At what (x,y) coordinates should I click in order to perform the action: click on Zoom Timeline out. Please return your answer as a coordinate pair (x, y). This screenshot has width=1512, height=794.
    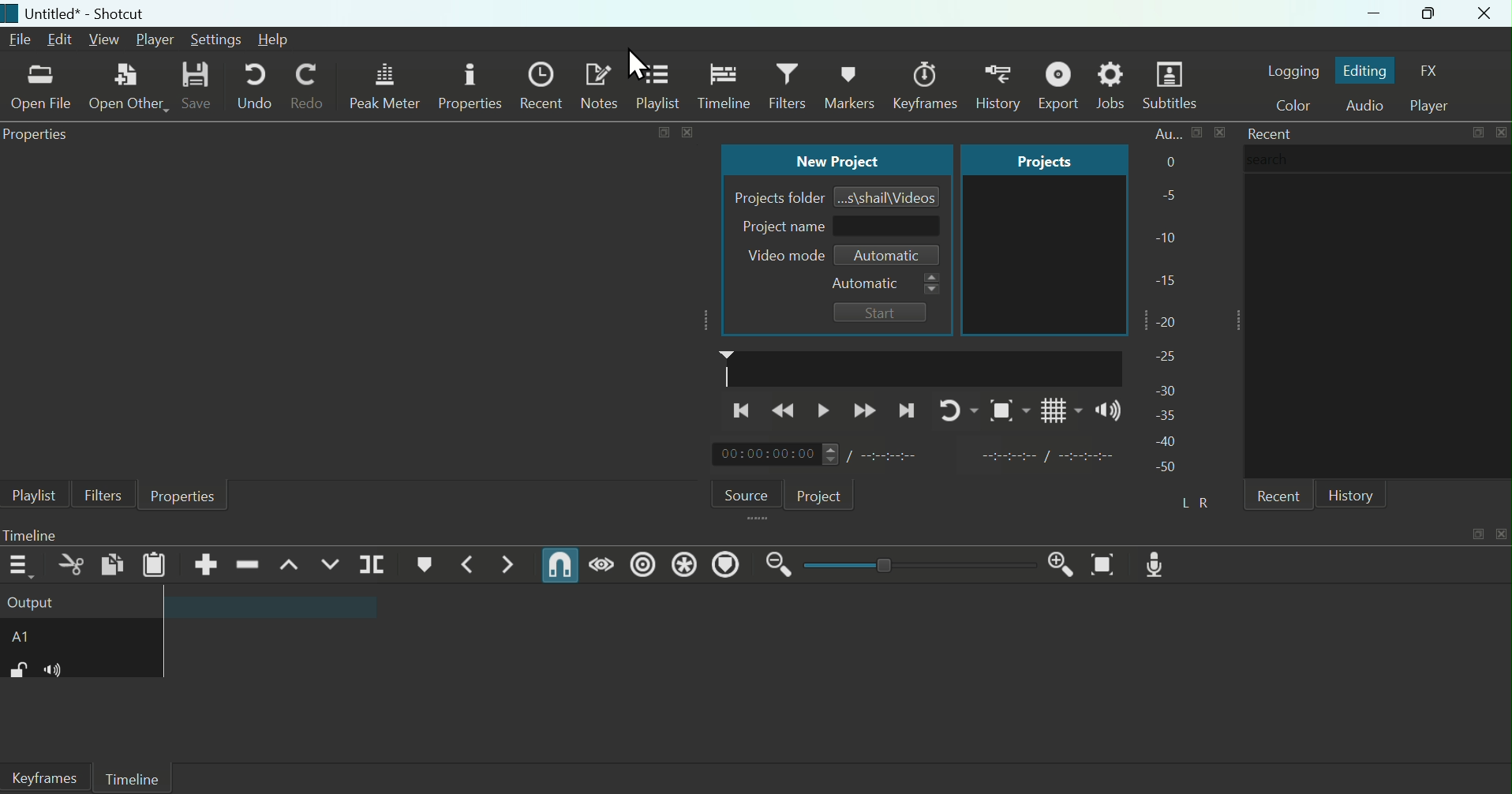
    Looking at the image, I should click on (779, 569).